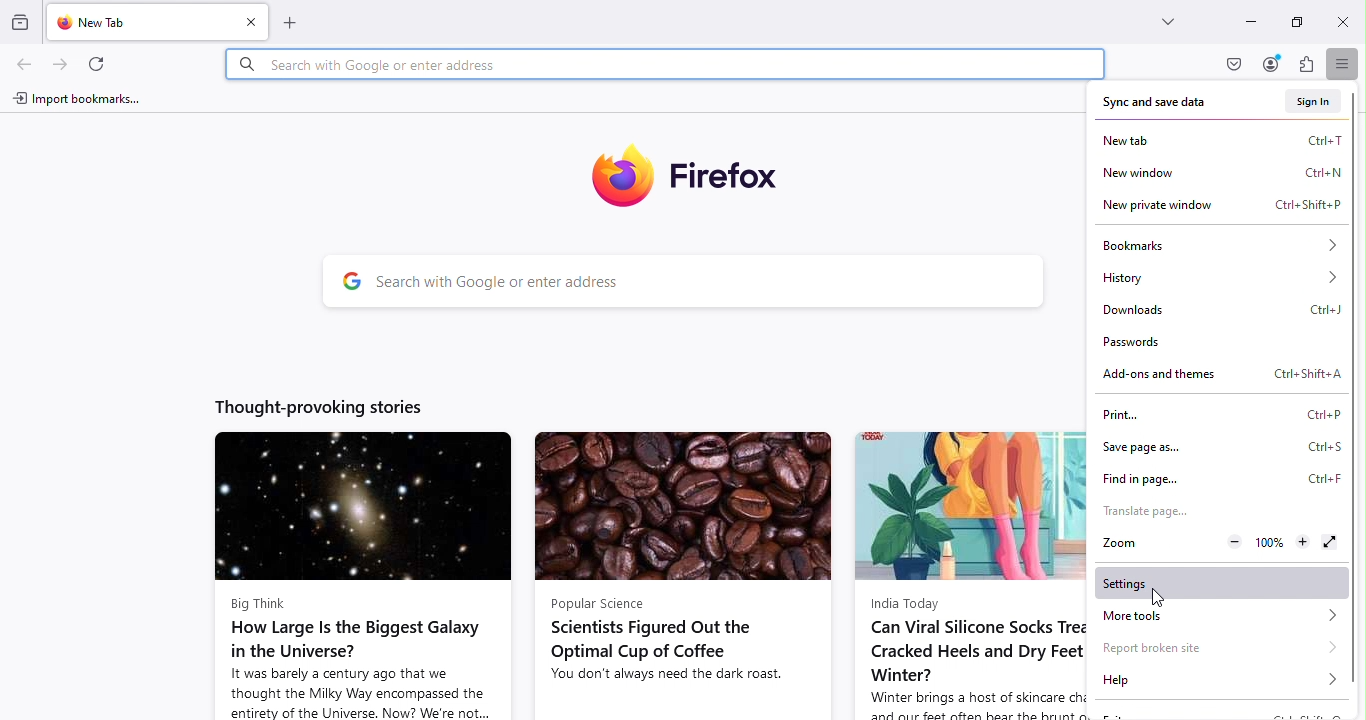  I want to click on Find in page, so click(1220, 475).